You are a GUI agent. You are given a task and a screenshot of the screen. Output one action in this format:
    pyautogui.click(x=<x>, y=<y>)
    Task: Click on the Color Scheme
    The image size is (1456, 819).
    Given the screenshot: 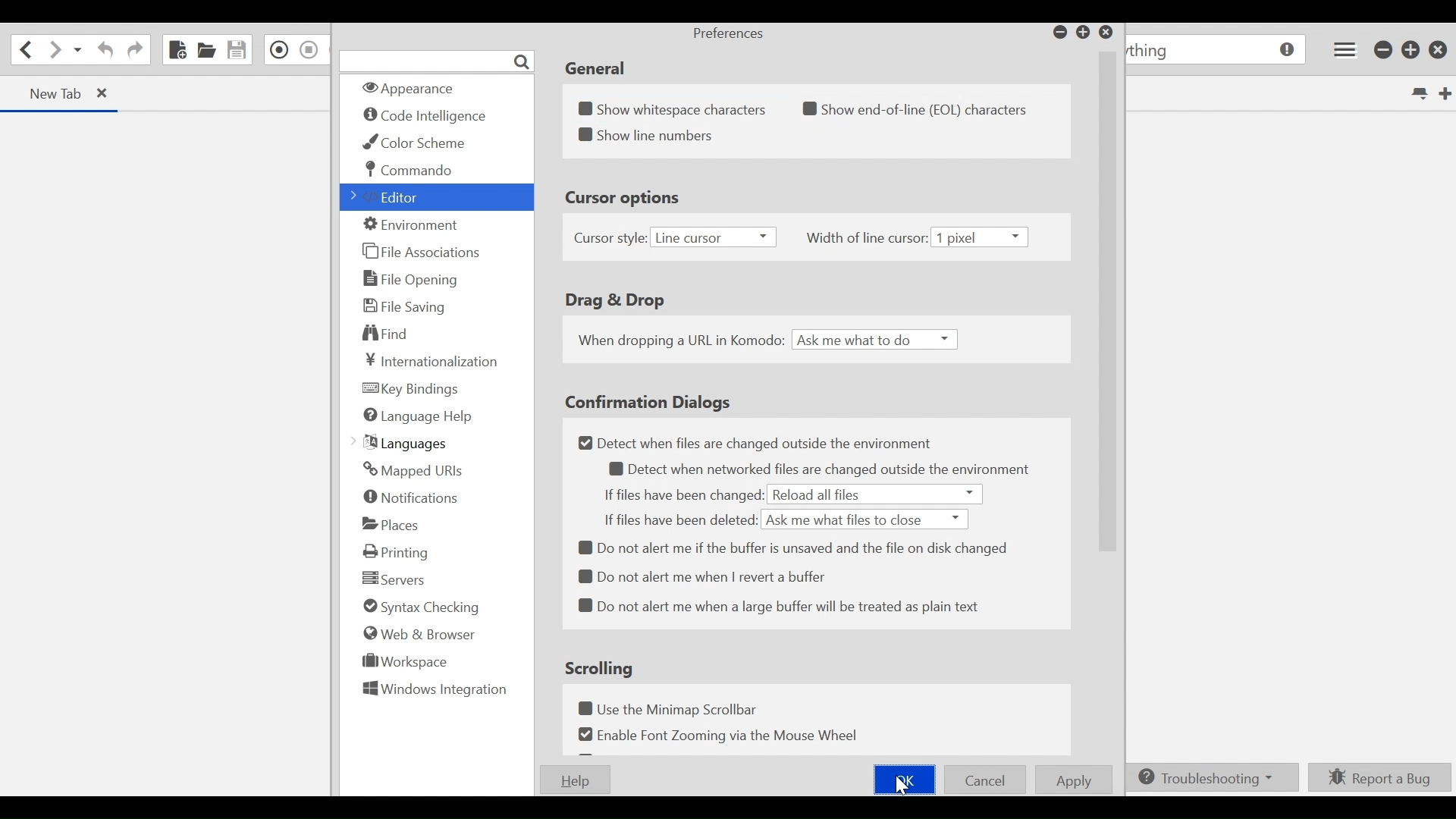 What is the action you would take?
    pyautogui.click(x=419, y=143)
    